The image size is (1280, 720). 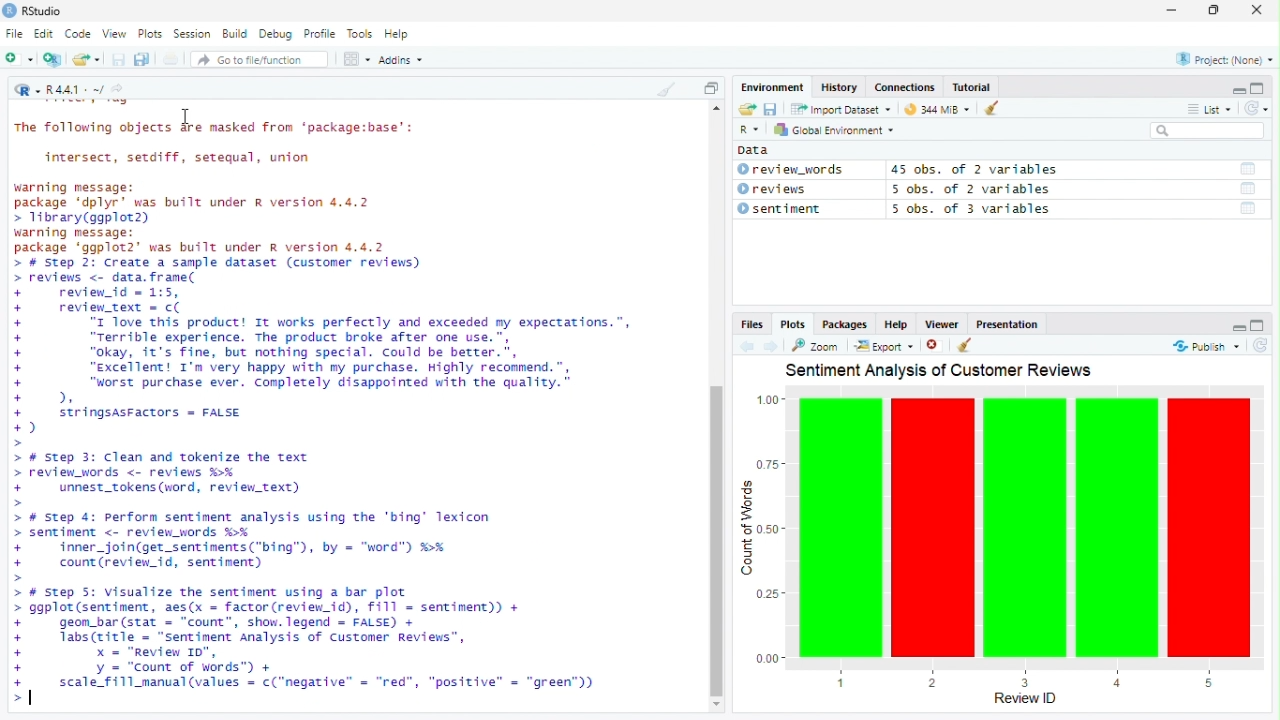 I want to click on Review ID, so click(x=1028, y=700).